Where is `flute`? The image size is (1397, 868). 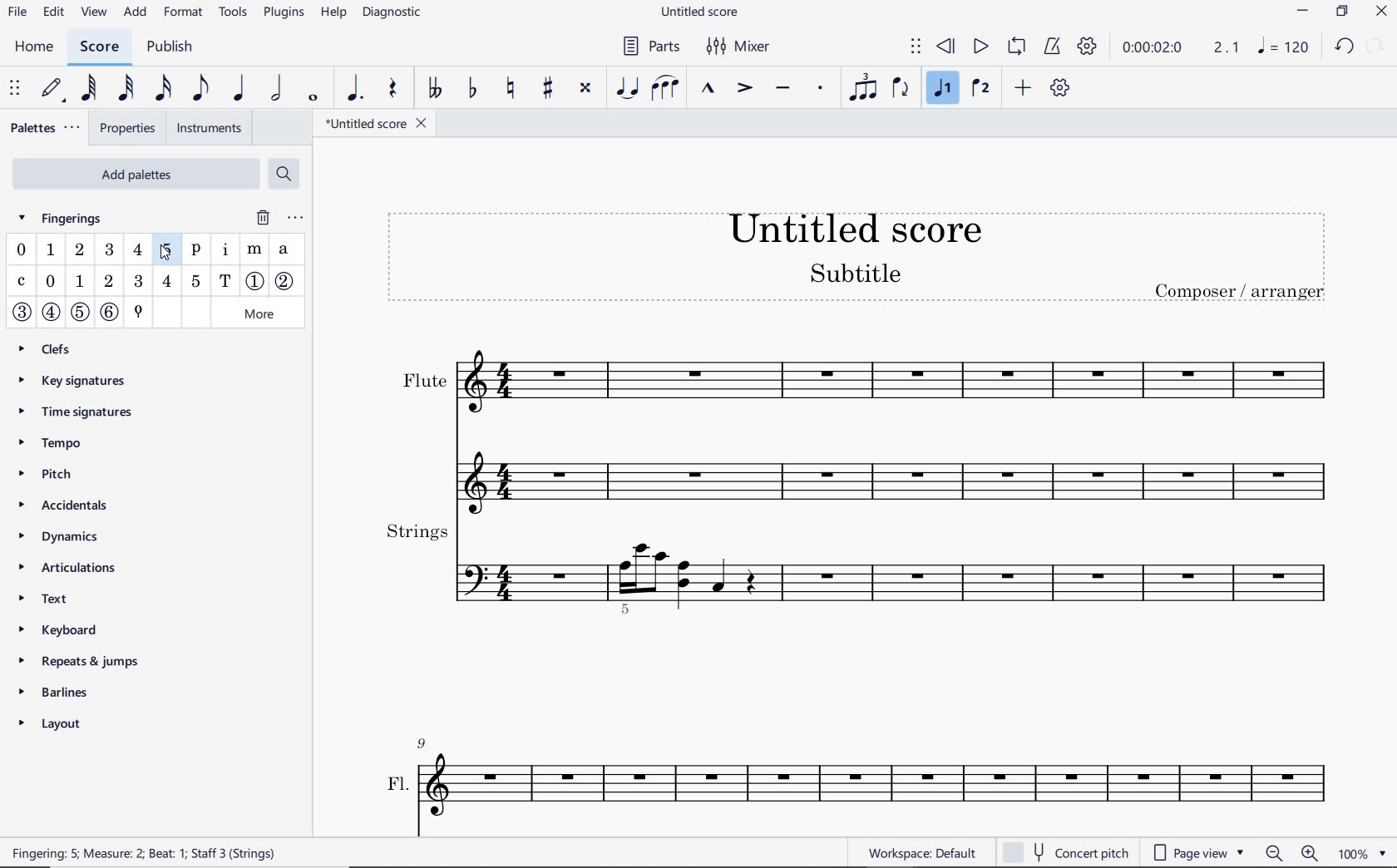
flute is located at coordinates (859, 421).